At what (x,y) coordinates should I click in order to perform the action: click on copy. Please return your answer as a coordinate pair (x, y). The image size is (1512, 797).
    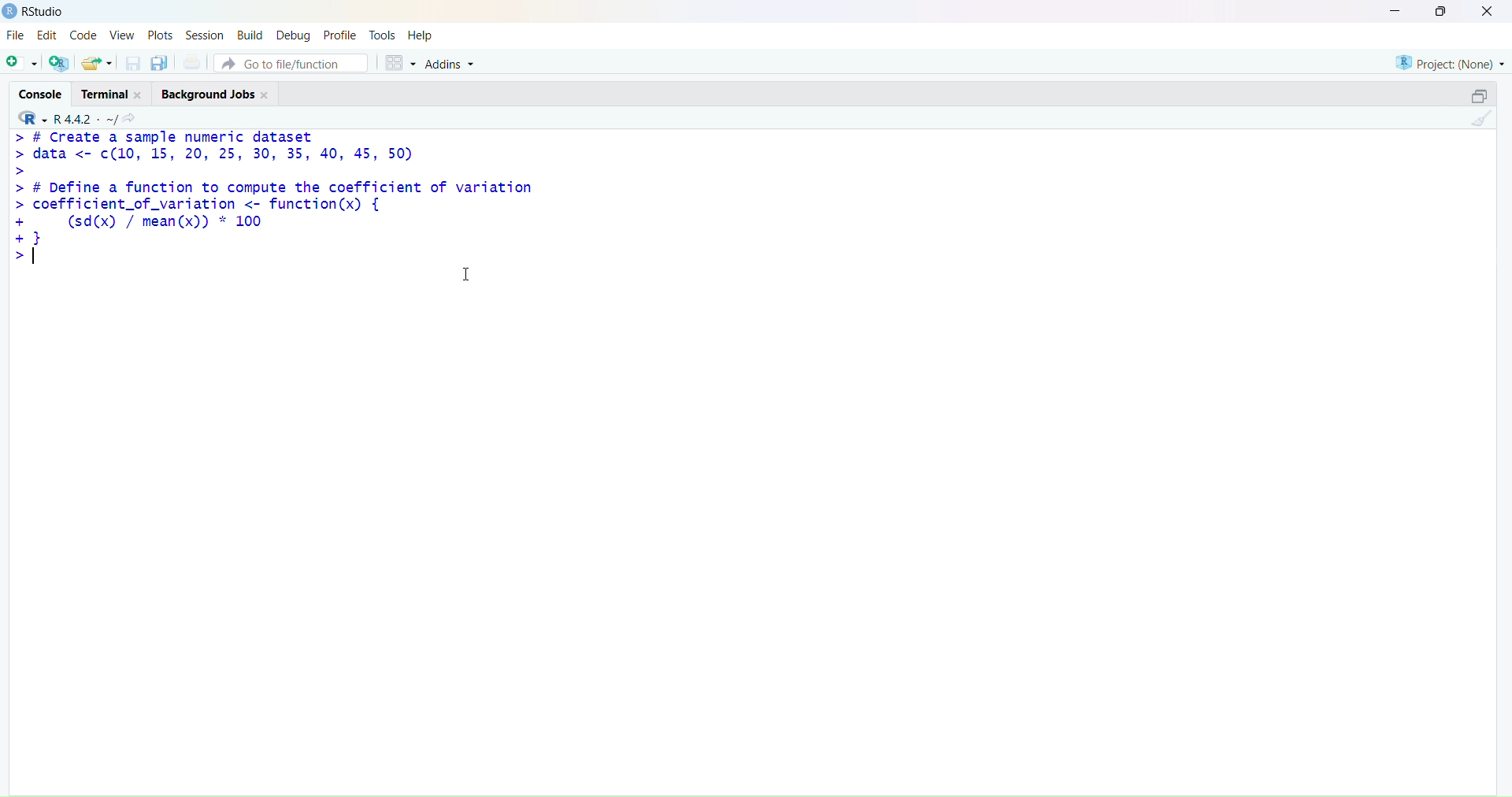
    Looking at the image, I should click on (159, 63).